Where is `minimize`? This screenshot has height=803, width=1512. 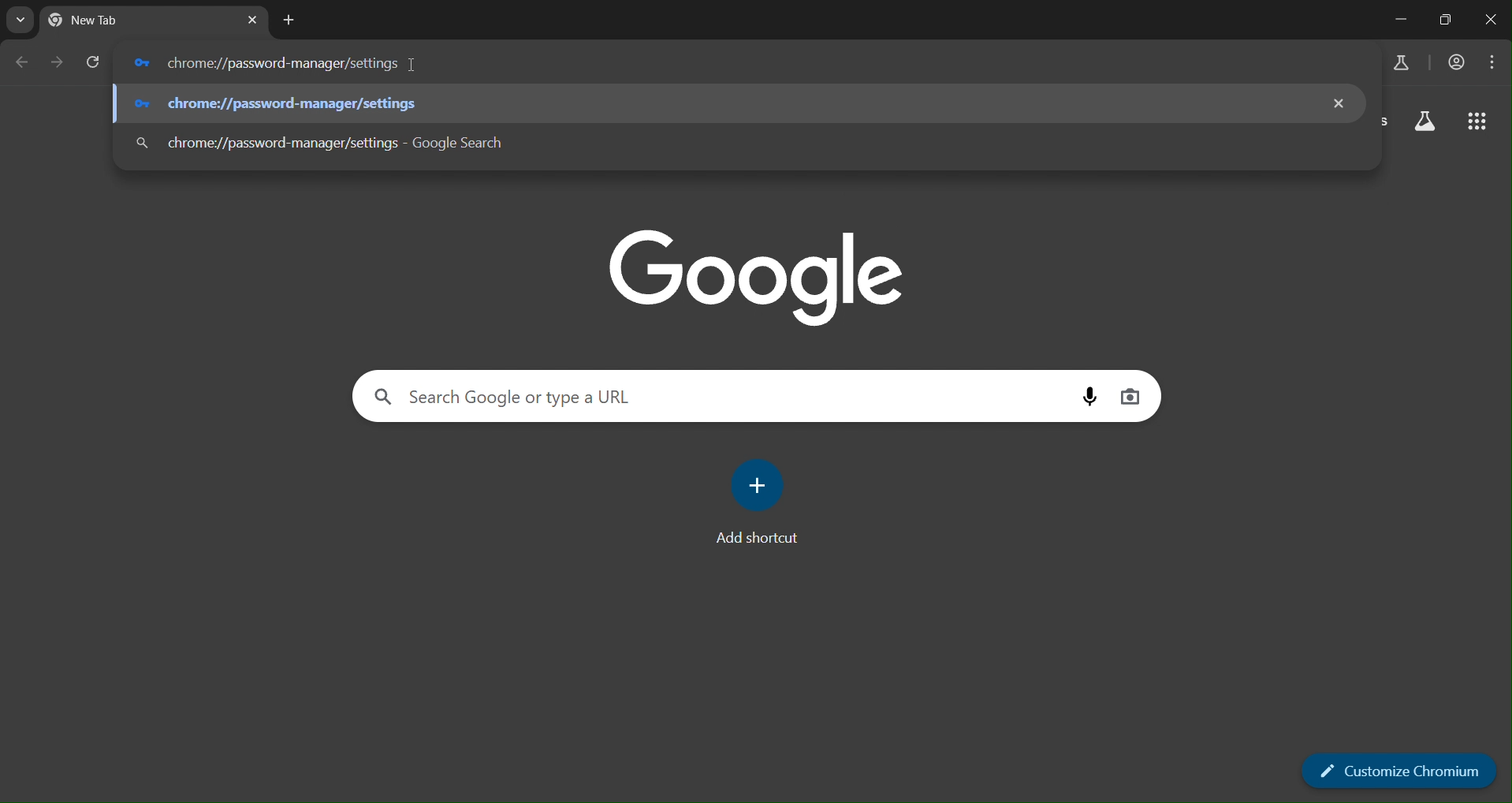 minimize is located at coordinates (1398, 19).